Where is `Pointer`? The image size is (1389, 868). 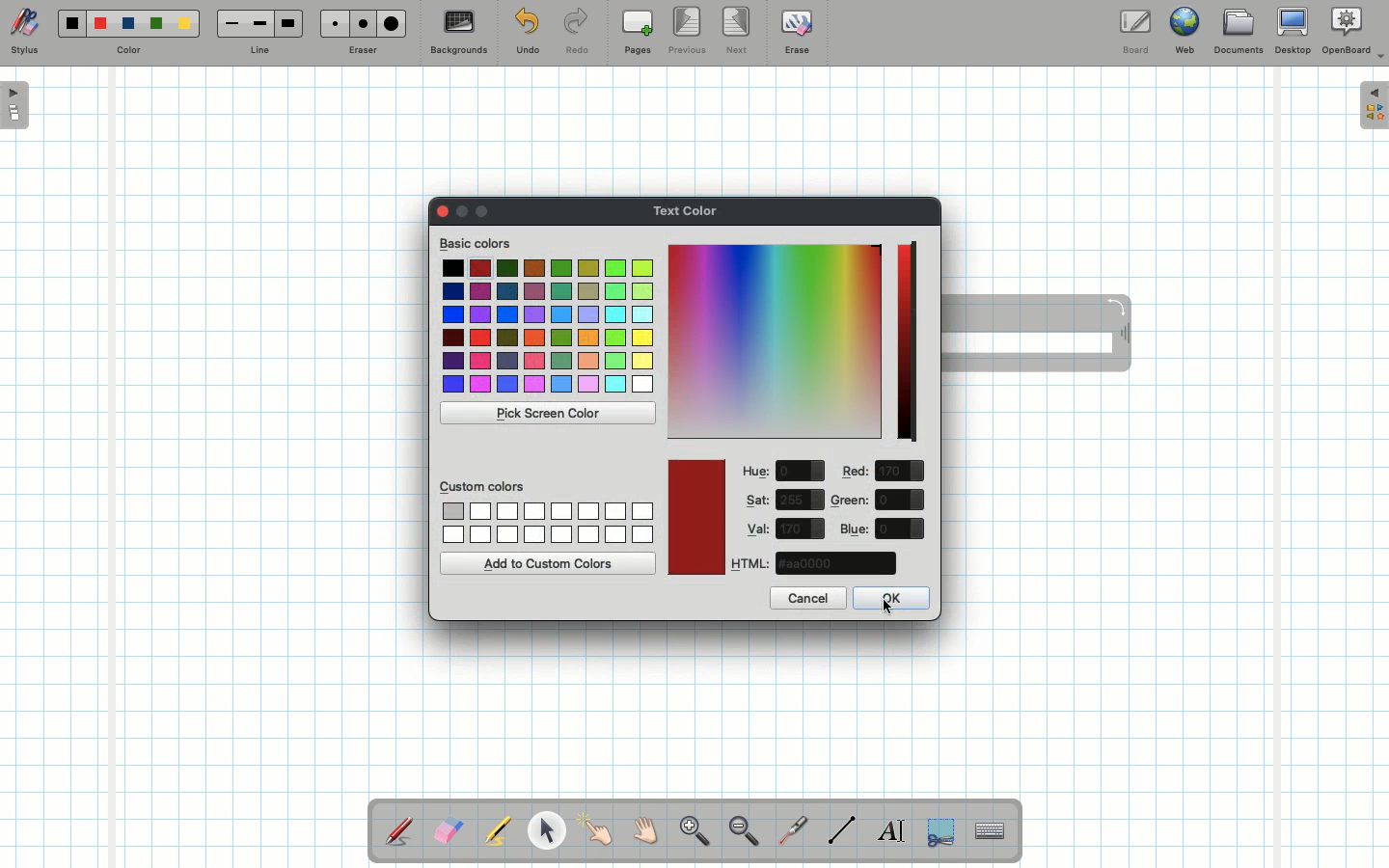
Pointer is located at coordinates (546, 830).